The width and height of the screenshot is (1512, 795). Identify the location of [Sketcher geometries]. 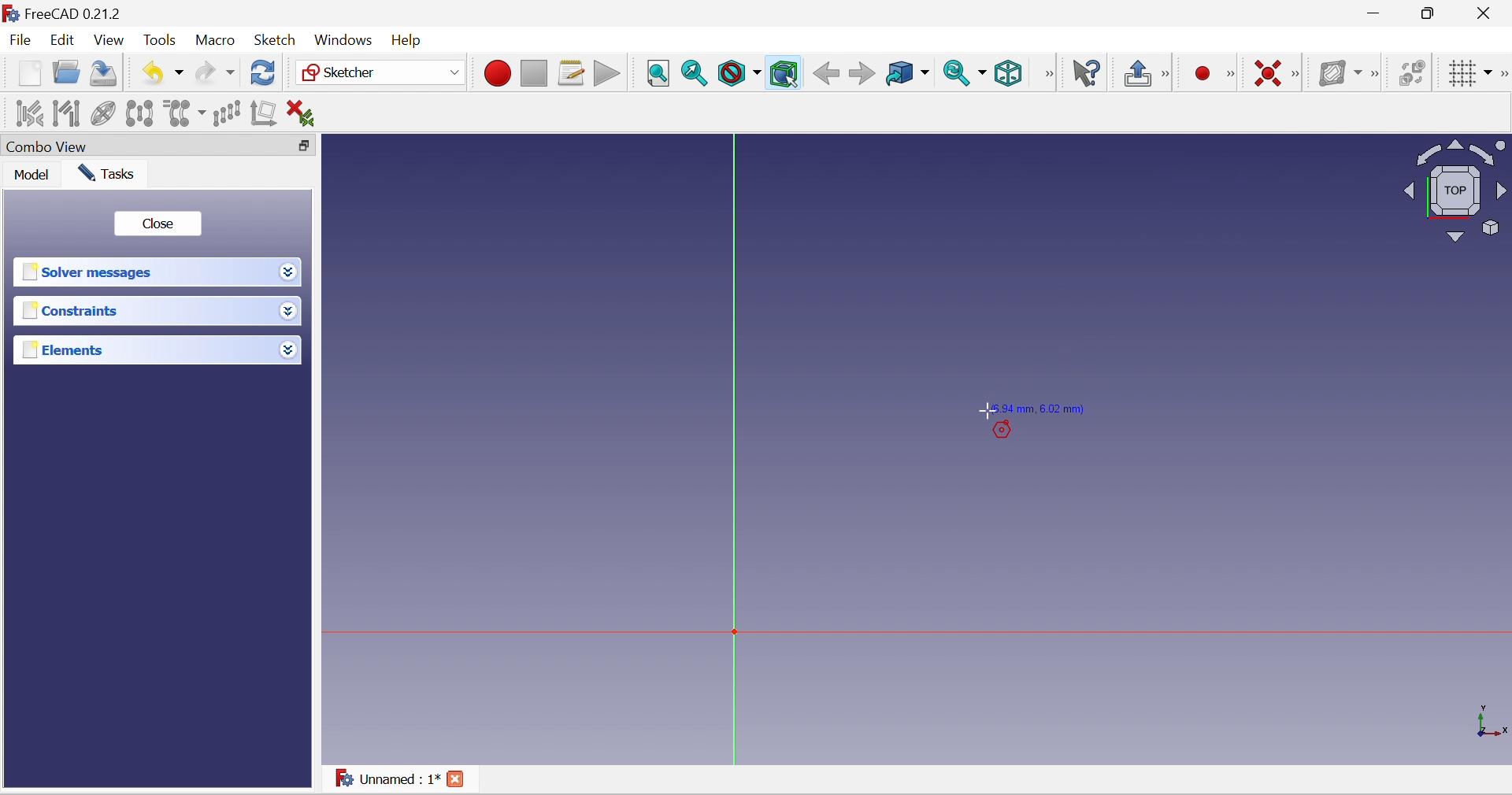
(1232, 76).